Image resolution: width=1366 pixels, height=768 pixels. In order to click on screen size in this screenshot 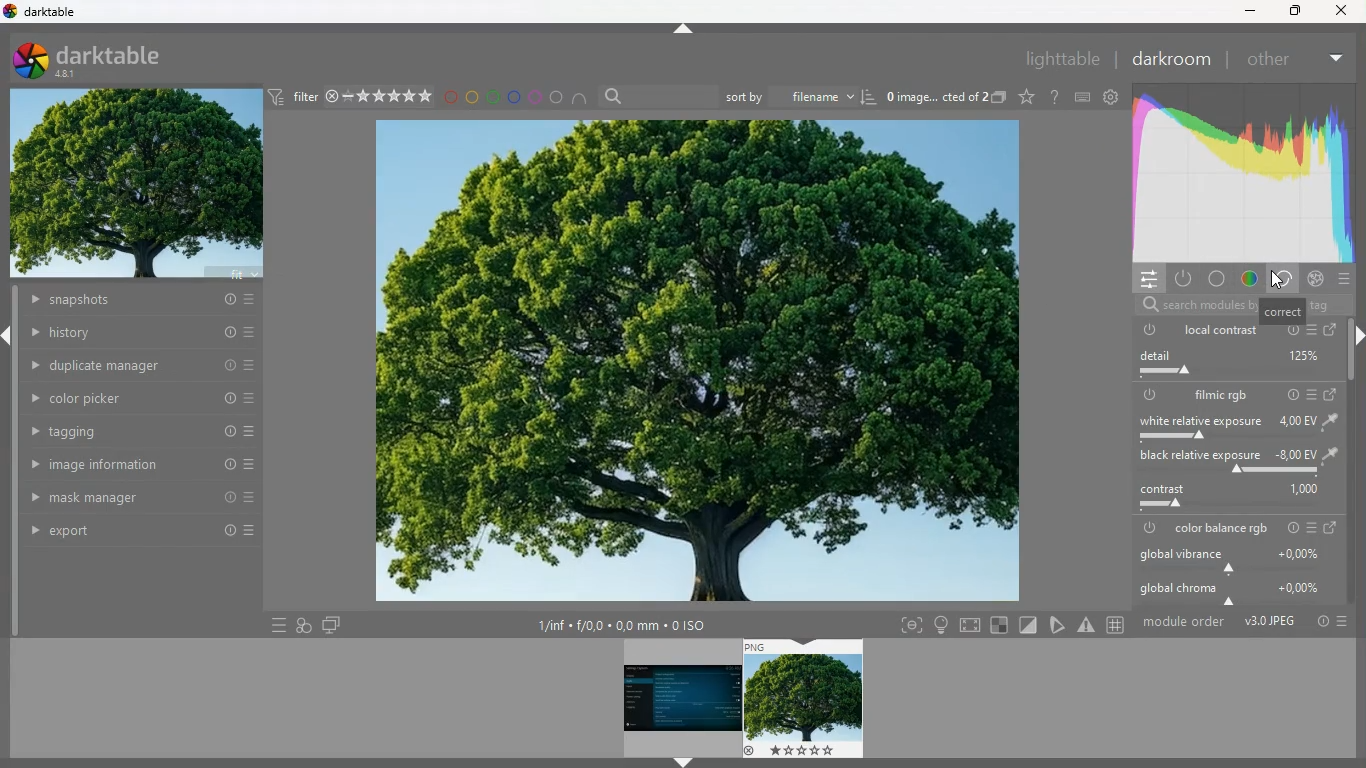, I will do `click(971, 624)`.